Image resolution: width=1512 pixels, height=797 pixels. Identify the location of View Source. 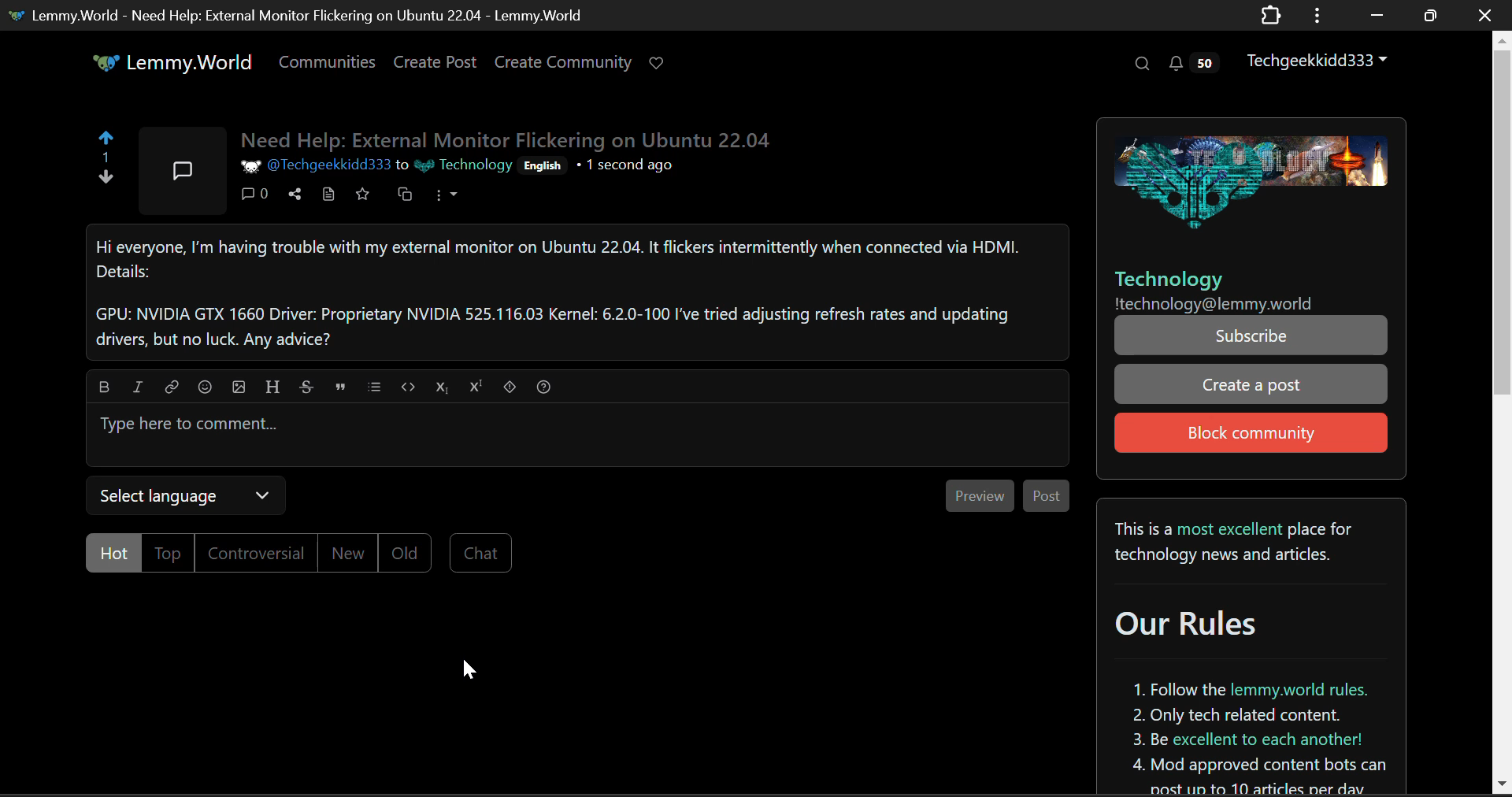
(331, 196).